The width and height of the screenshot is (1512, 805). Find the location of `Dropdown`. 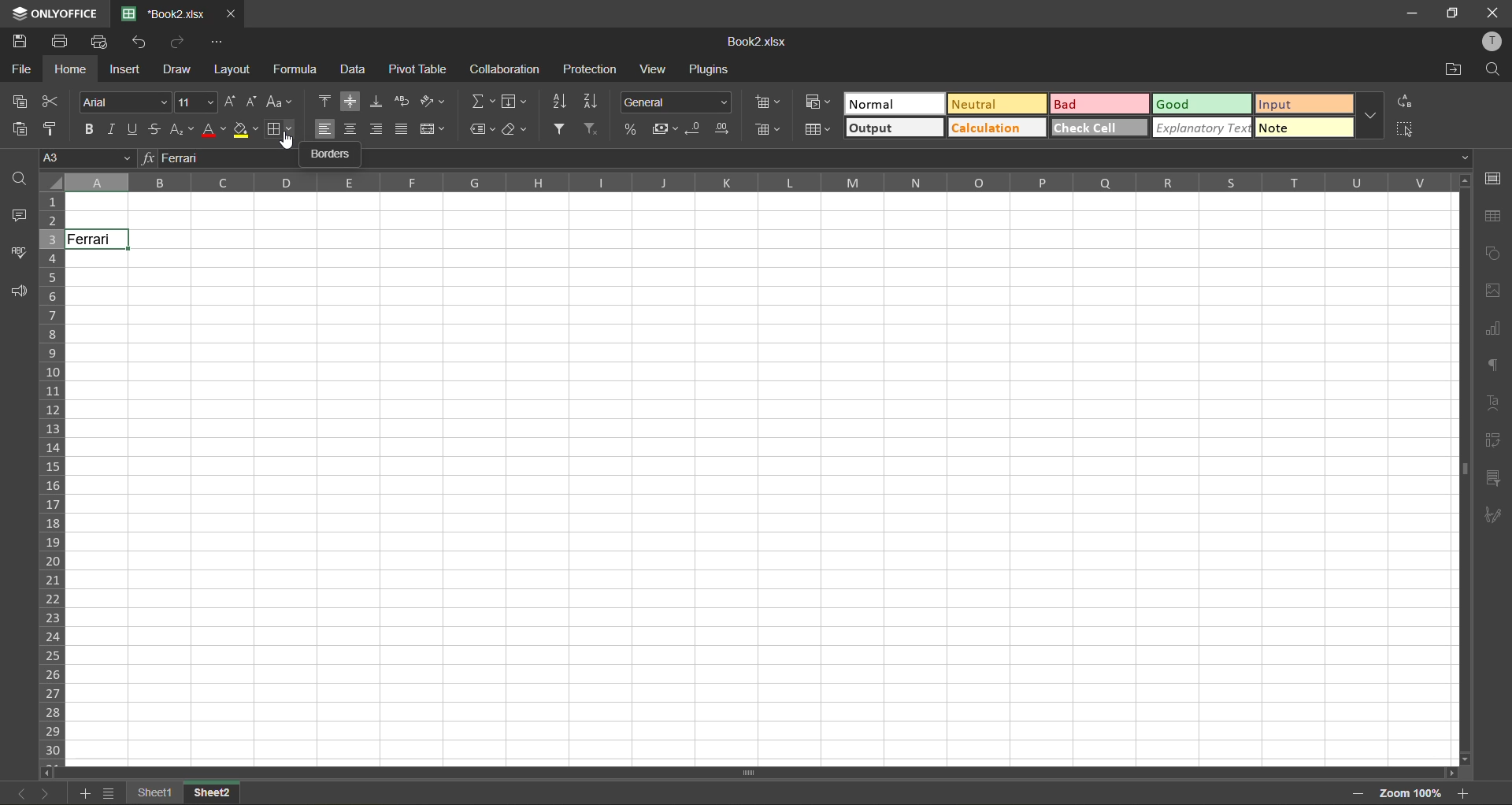

Dropdown is located at coordinates (1466, 158).